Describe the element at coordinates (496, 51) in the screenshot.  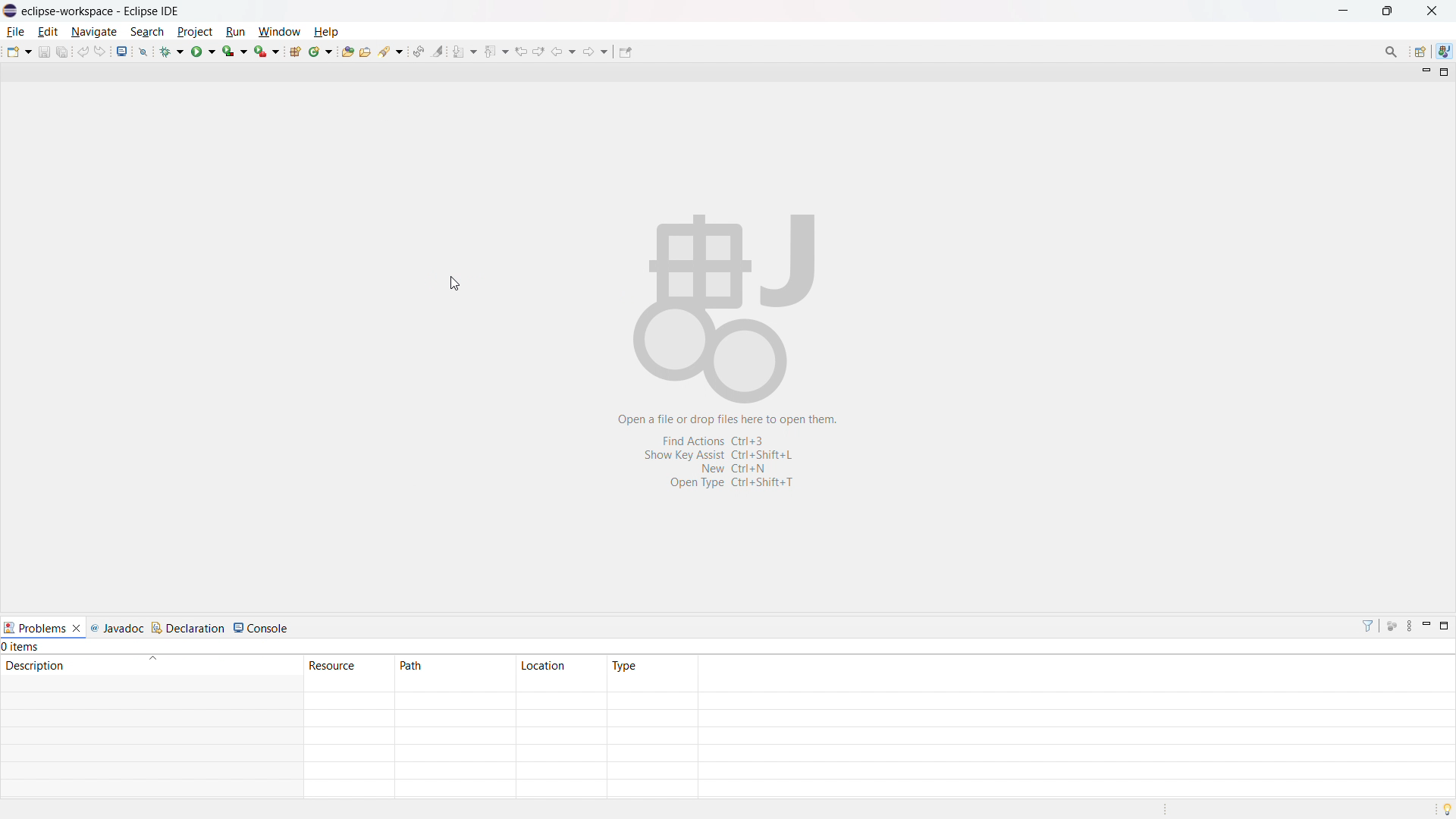
I see `previious annotation` at that location.